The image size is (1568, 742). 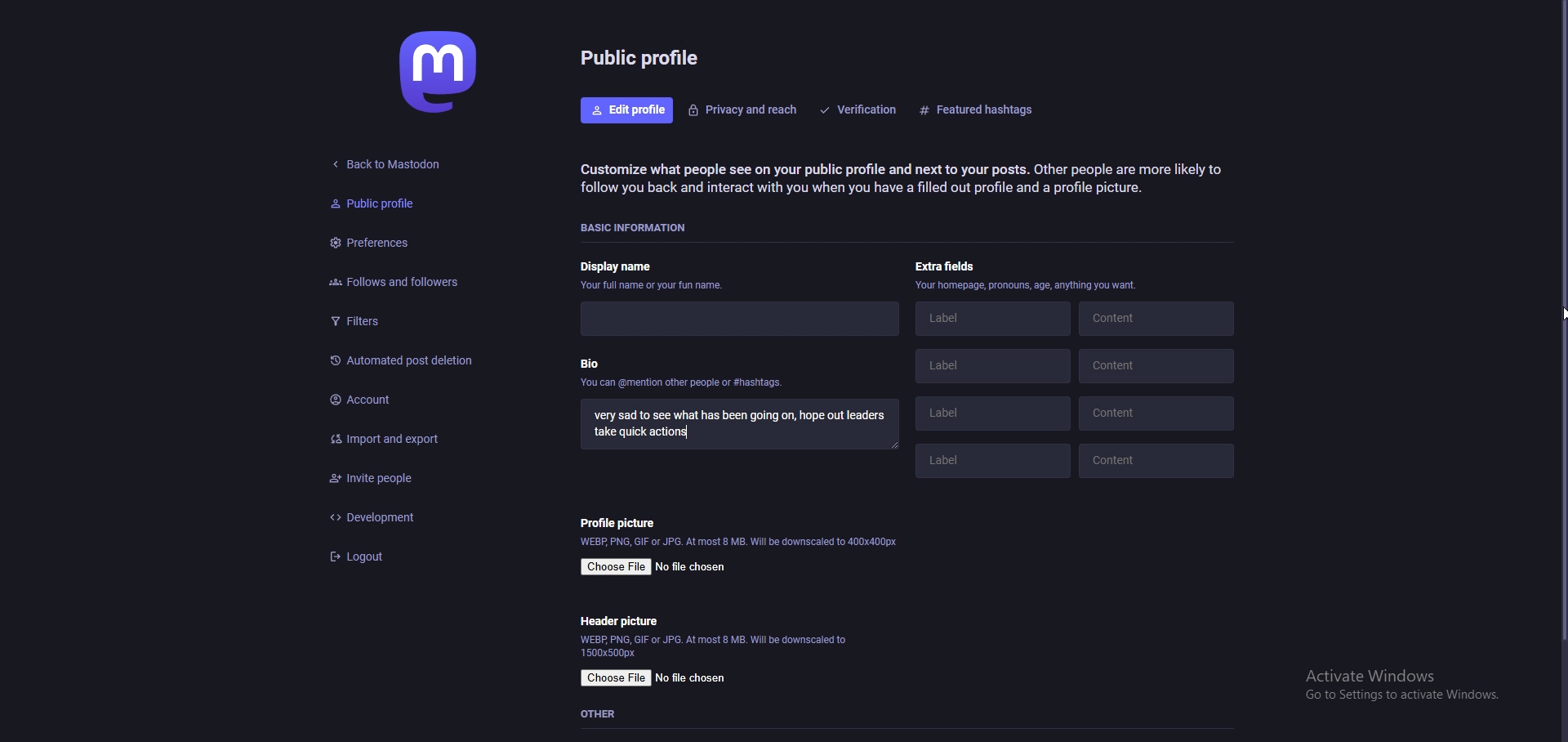 What do you see at coordinates (618, 522) in the screenshot?
I see `profile picture` at bounding box center [618, 522].